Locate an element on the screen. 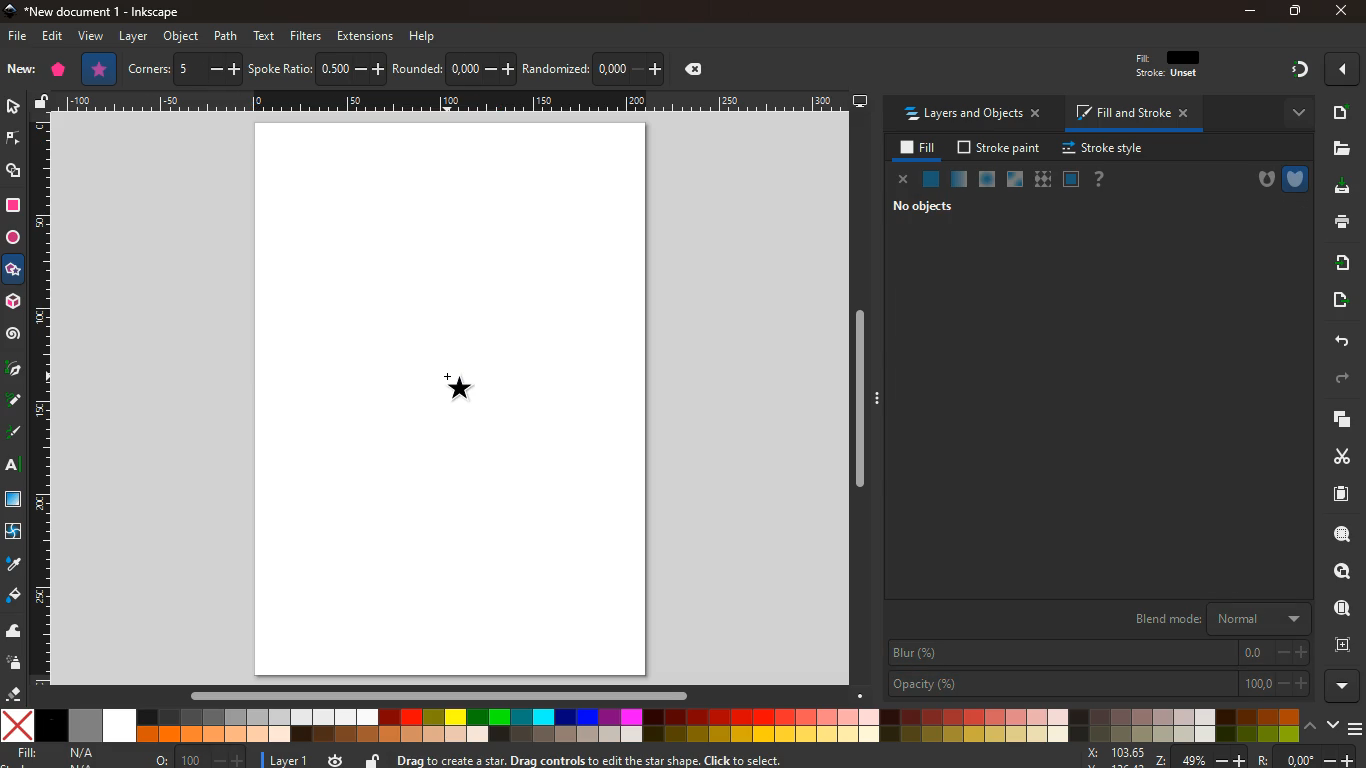 The image size is (1366, 768). path is located at coordinates (228, 36).